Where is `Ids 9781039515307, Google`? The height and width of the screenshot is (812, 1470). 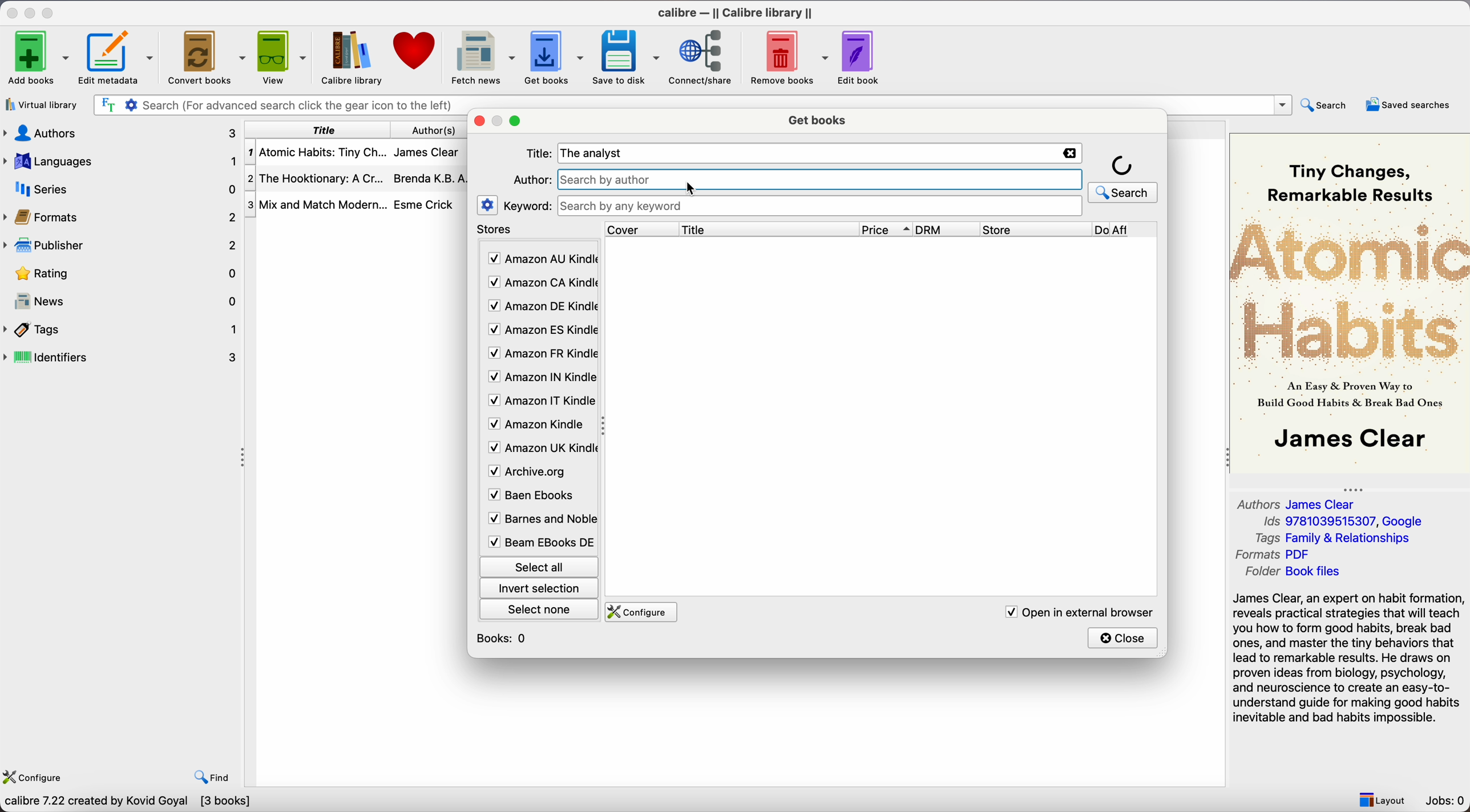
Ids 9781039515307, Google is located at coordinates (1344, 522).